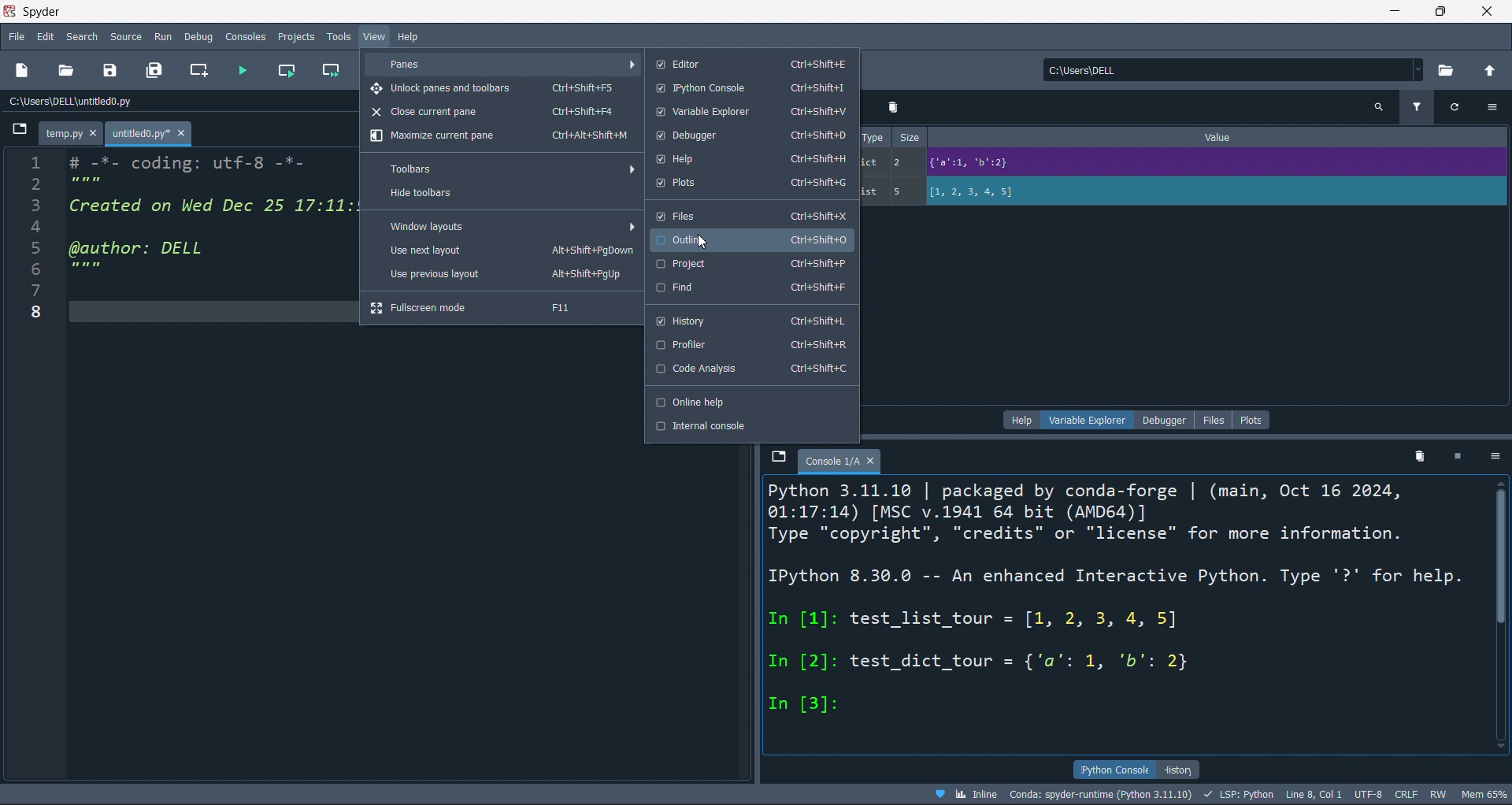 This screenshot has height=805, width=1512. I want to click on console, so click(246, 37).